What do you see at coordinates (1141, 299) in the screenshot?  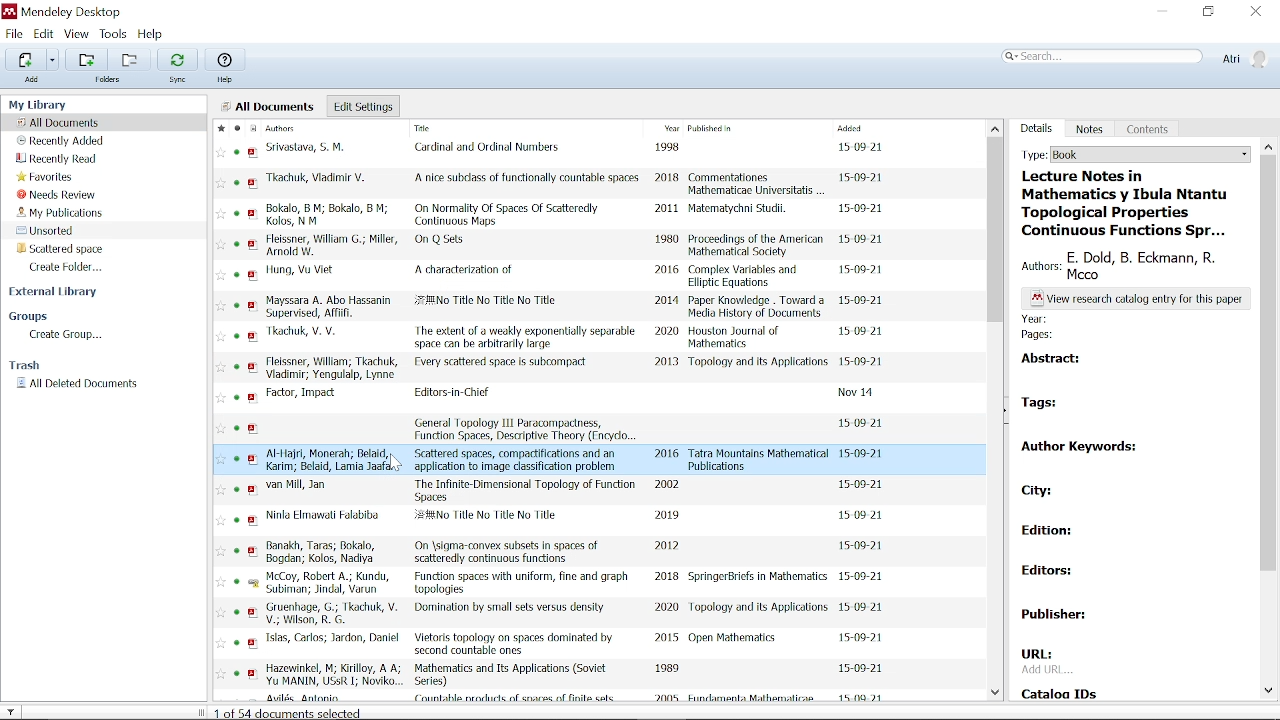 I see `text` at bounding box center [1141, 299].